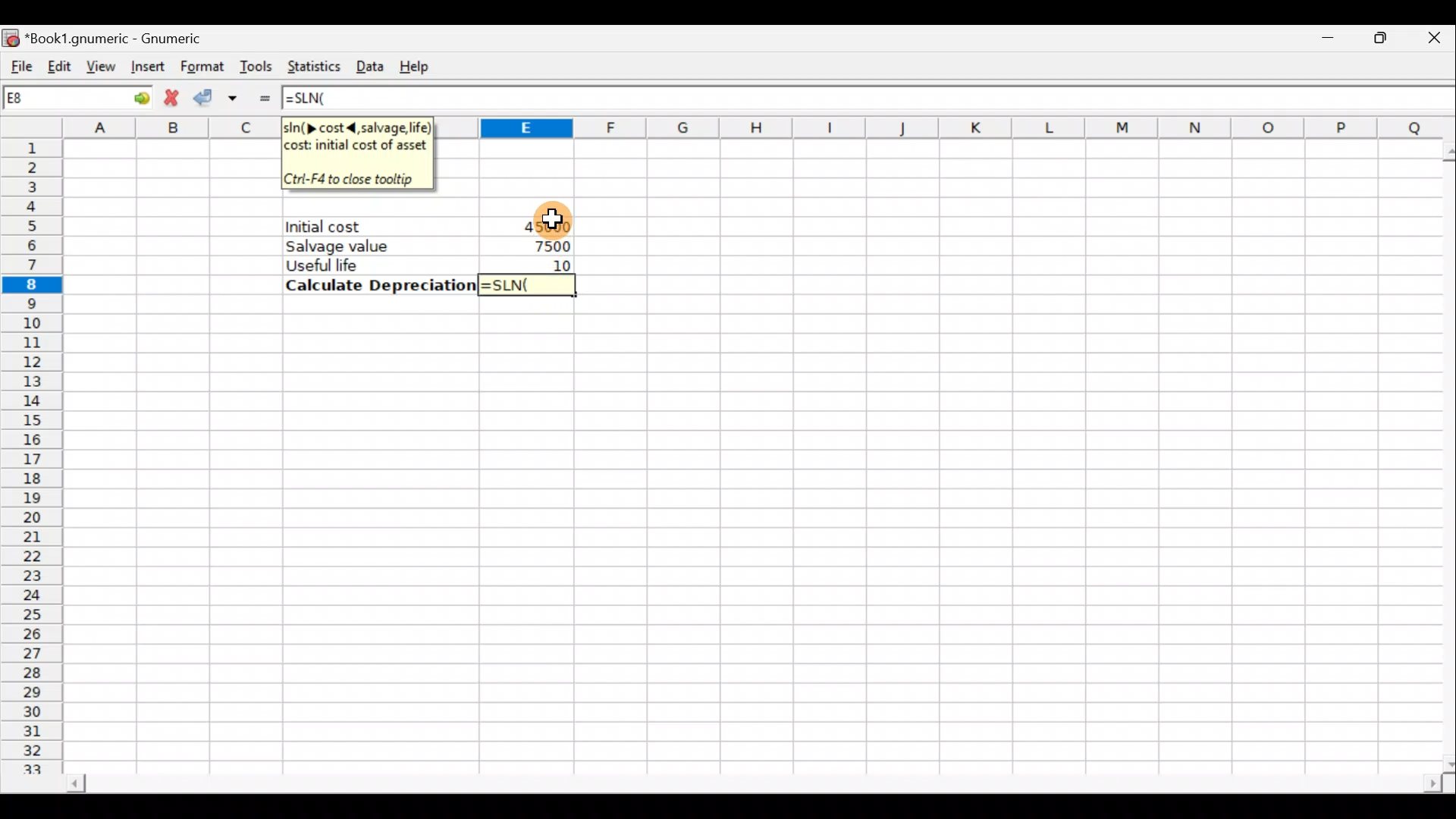 This screenshot has width=1456, height=819. Describe the element at coordinates (419, 64) in the screenshot. I see `Help` at that location.